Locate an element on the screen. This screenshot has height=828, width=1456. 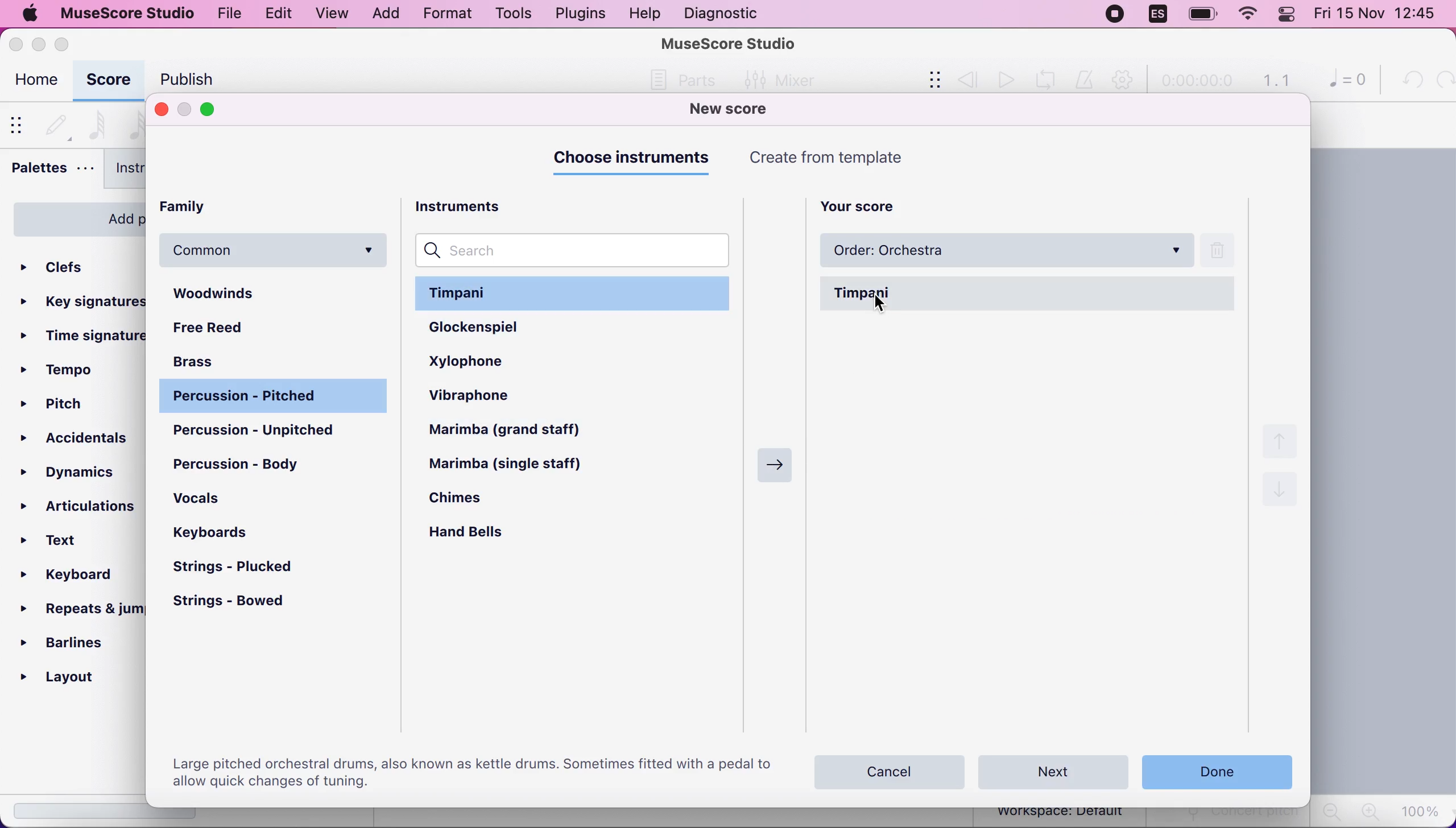
woodwinds is located at coordinates (276, 294).